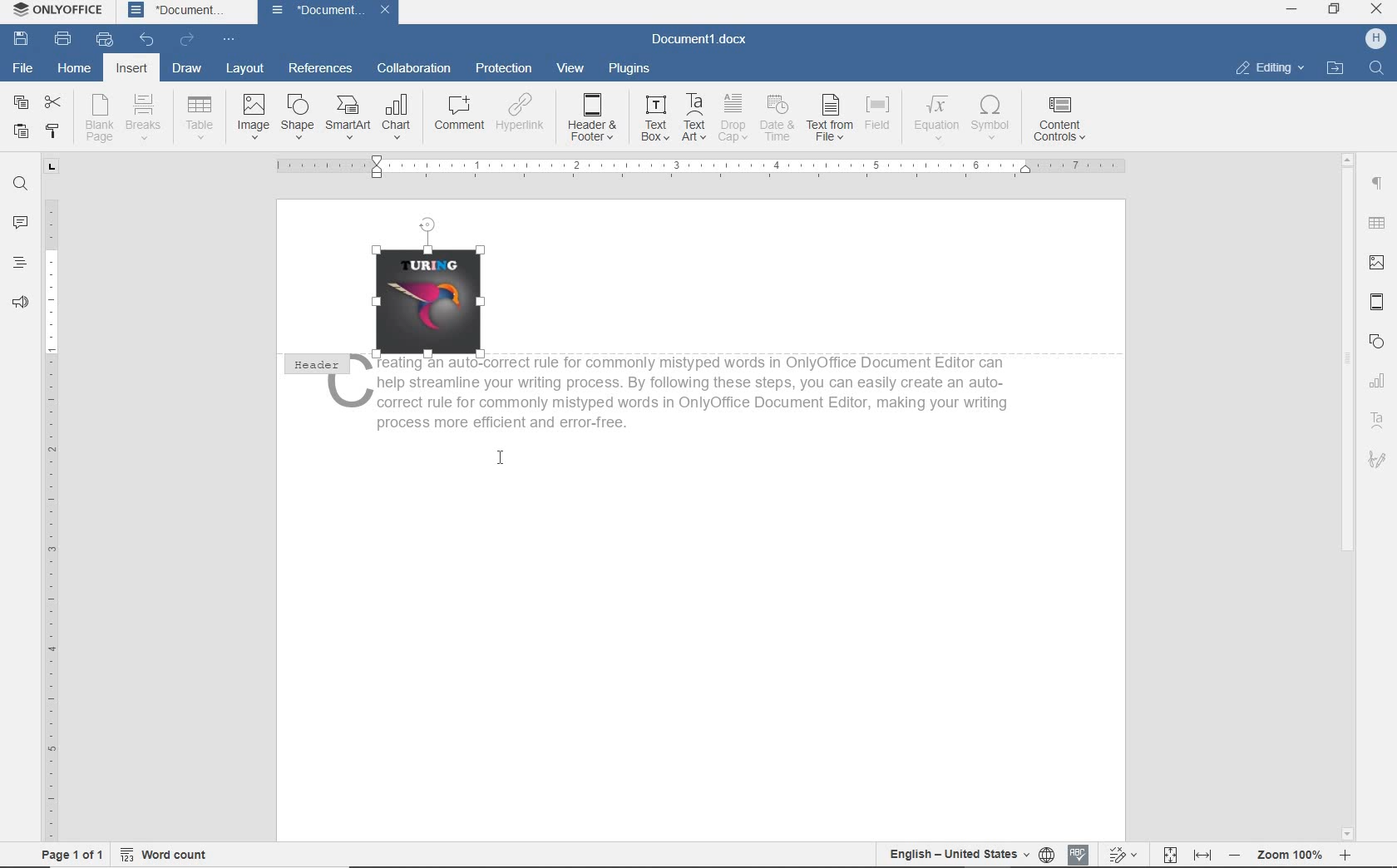 This screenshot has height=868, width=1397. What do you see at coordinates (1375, 8) in the screenshot?
I see `CLOSE` at bounding box center [1375, 8].